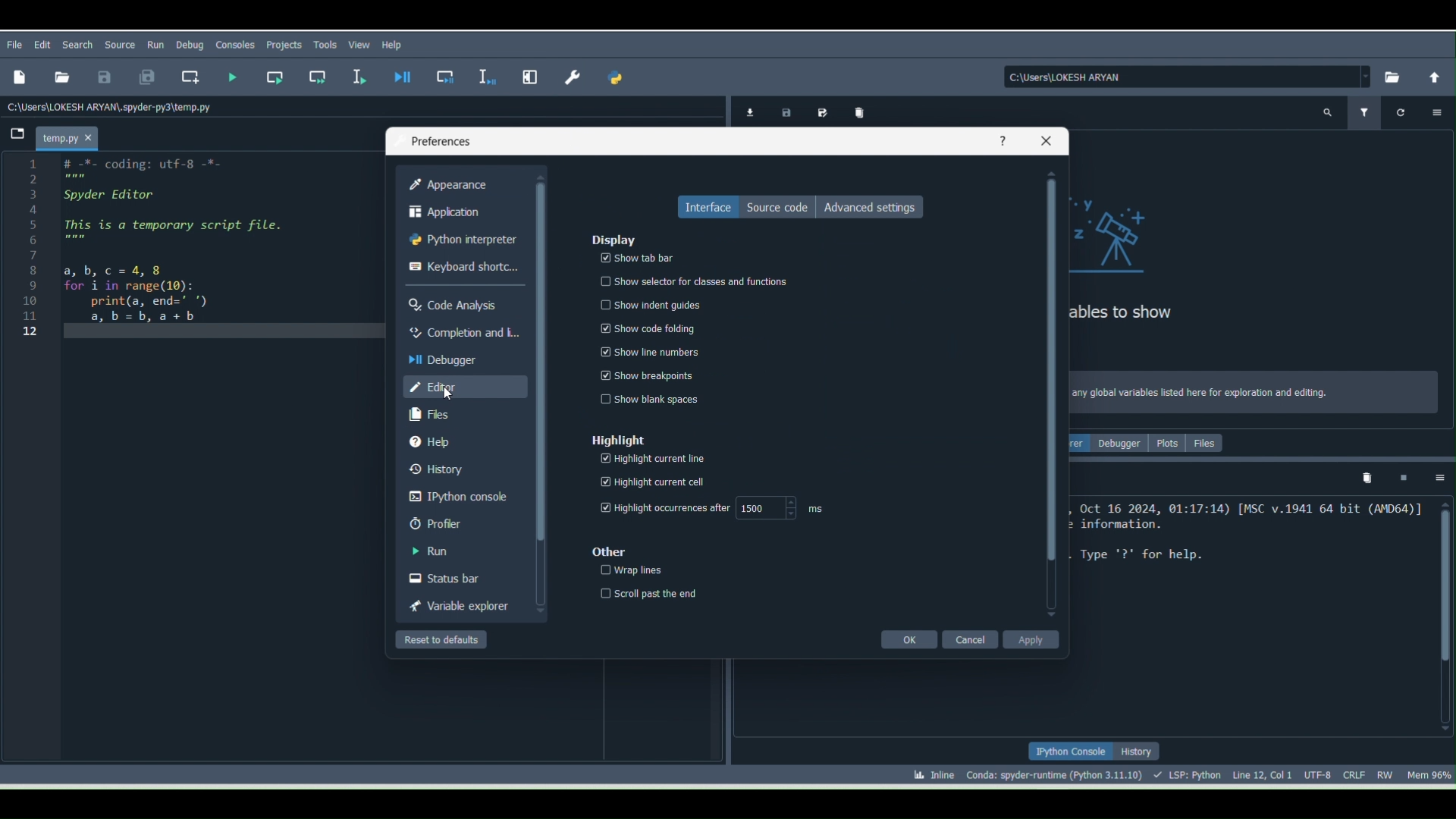 The height and width of the screenshot is (819, 1456). What do you see at coordinates (328, 45) in the screenshot?
I see `Tools` at bounding box center [328, 45].